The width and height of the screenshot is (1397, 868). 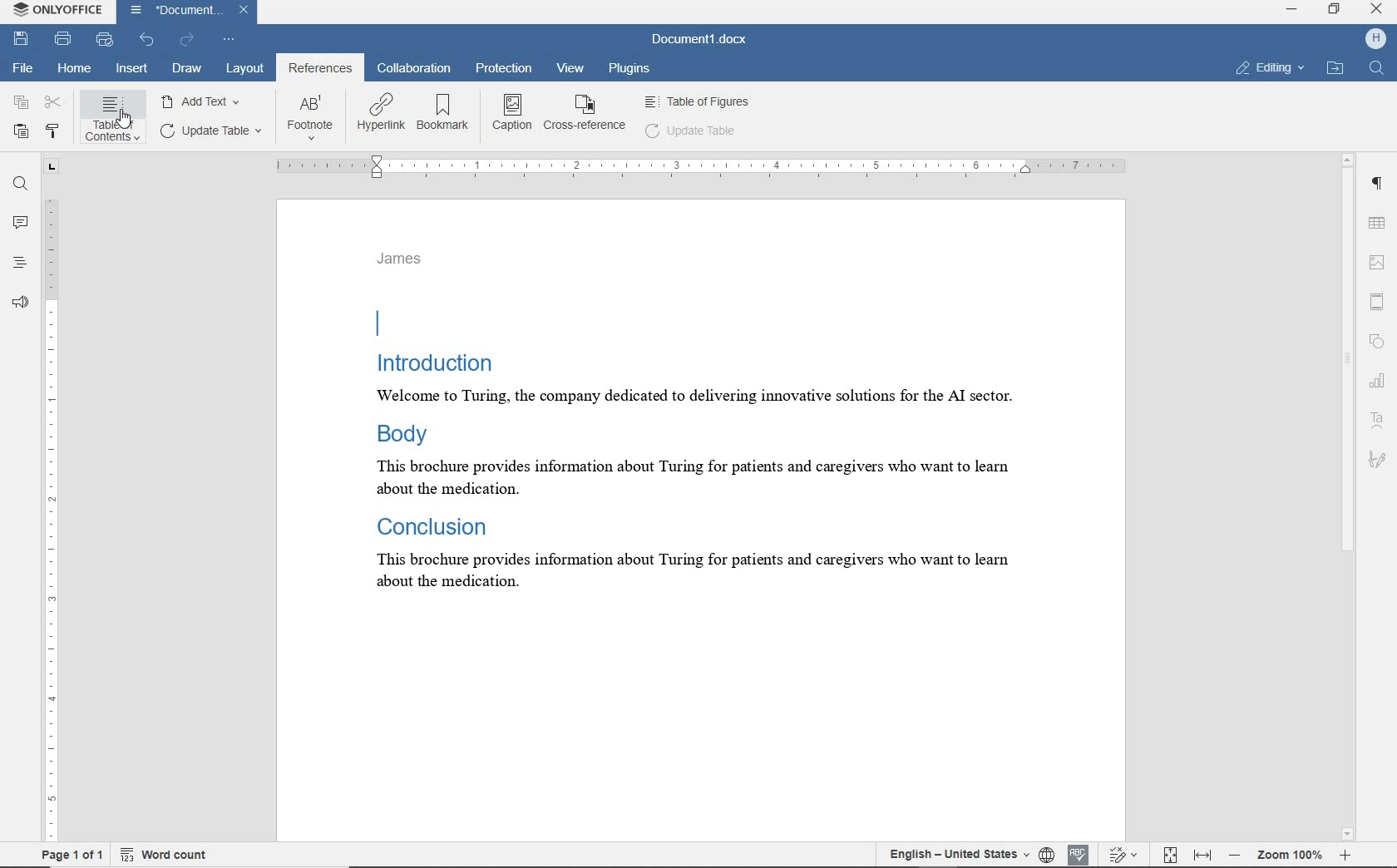 I want to click on home, so click(x=74, y=70).